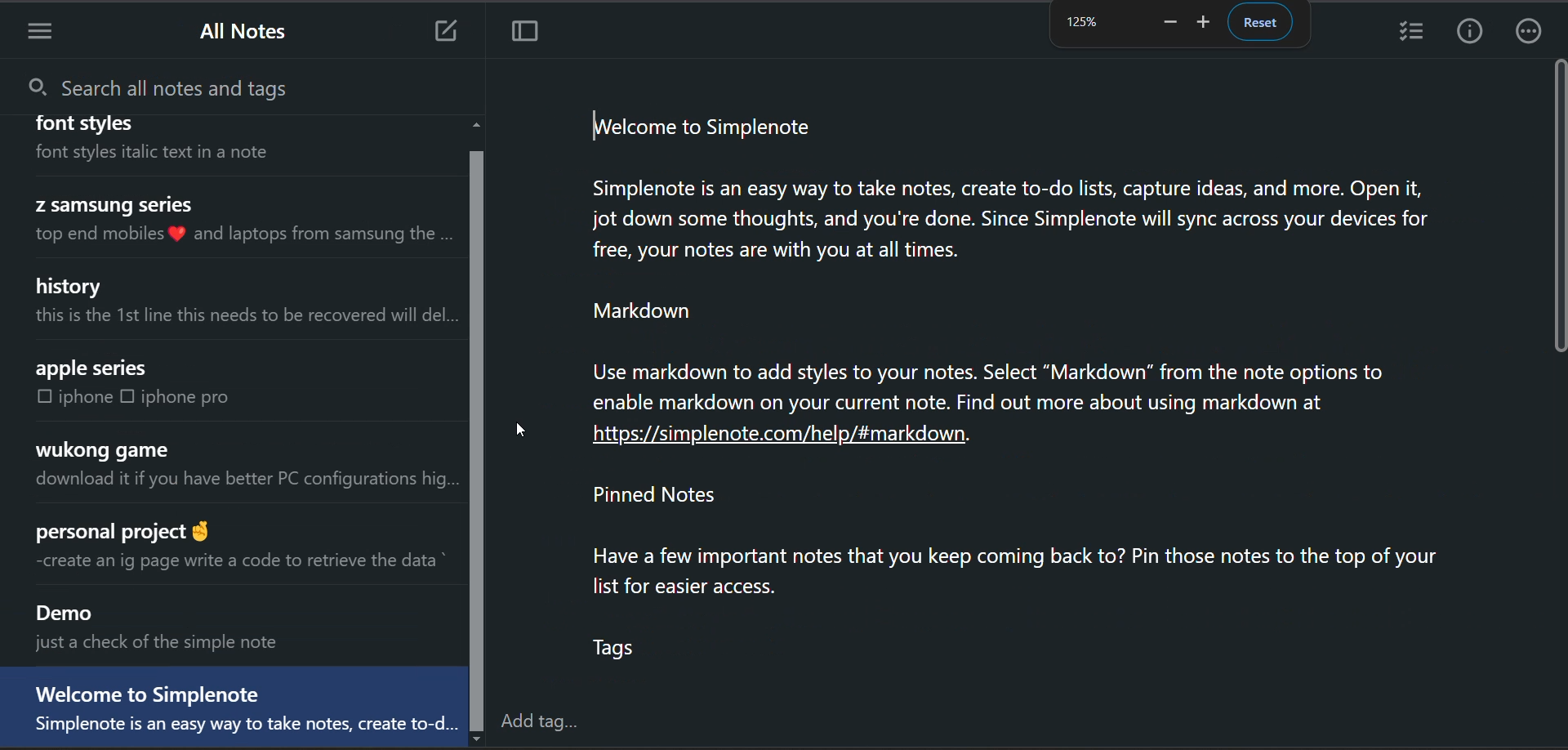 The width and height of the screenshot is (1568, 750). I want to click on all notes, so click(243, 31).